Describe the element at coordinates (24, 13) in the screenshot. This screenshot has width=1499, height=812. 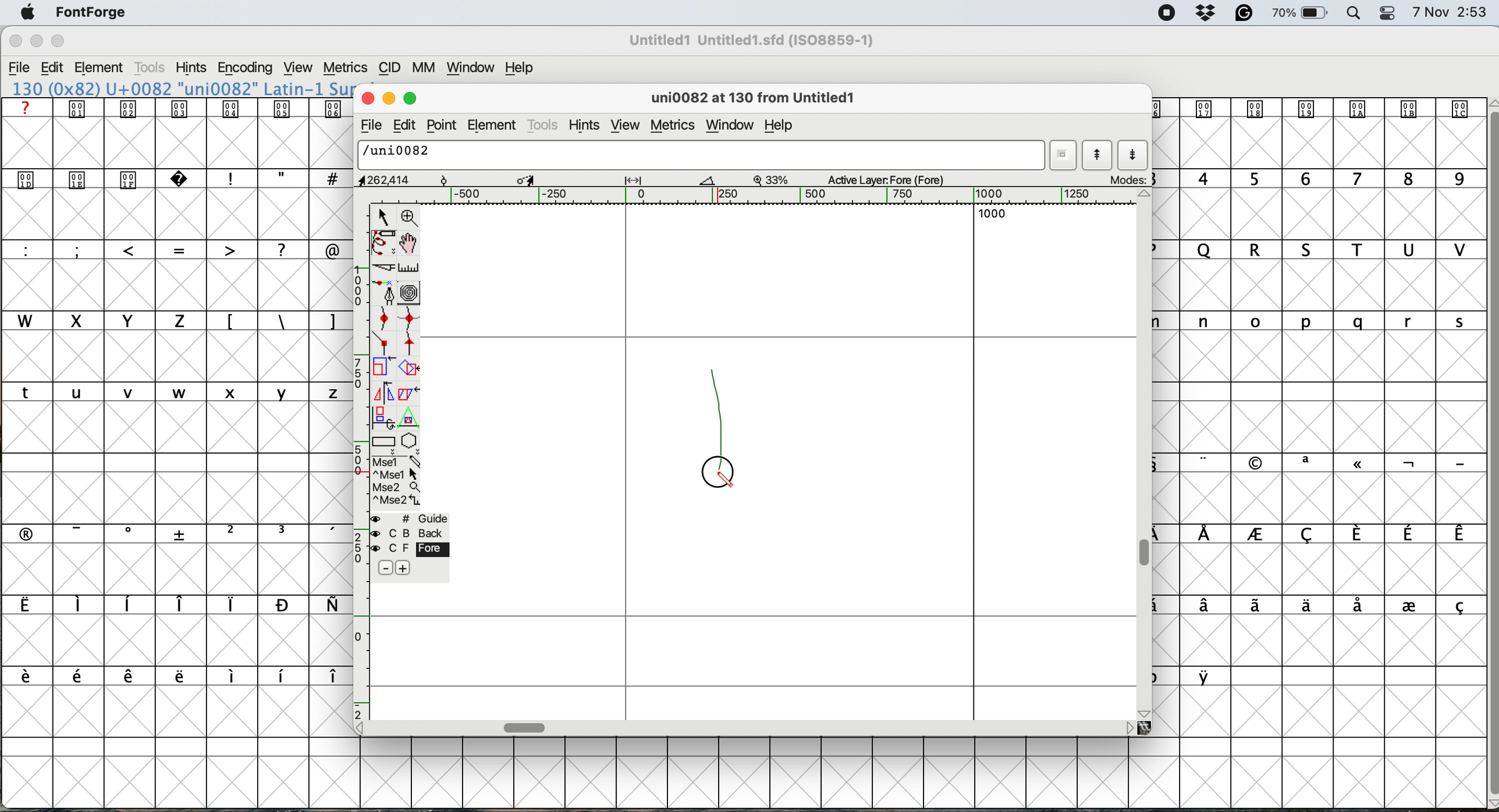
I see `system logo` at that location.